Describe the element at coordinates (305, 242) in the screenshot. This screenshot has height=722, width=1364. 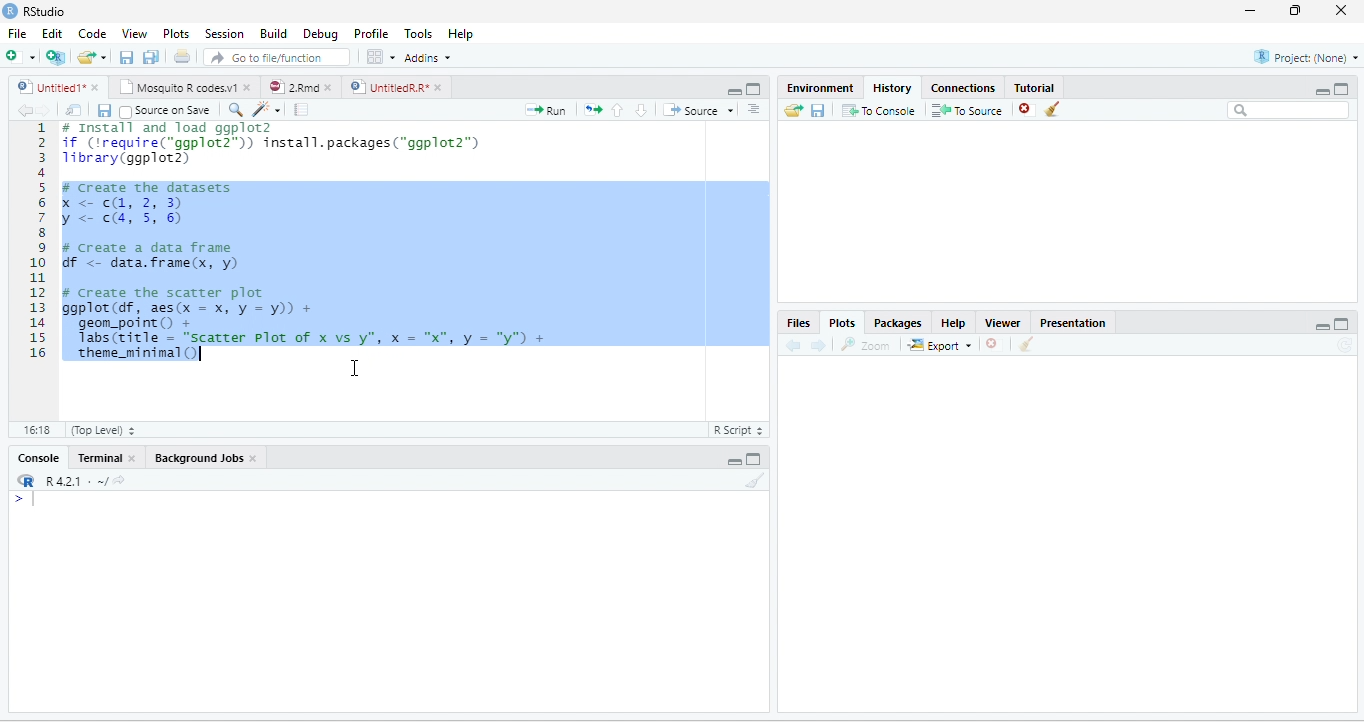
I see `# Install and load ggplot2
if (‘require("ggplot2™)) install.packages("ggplot2”)
1ibrary(ggplot2)
F create the datasets
X <<, 2, 3)
y < cs, 5, 6)
# create a data frame
Gf <- data.frame(x, y)
# Create the scatter plot
ggplot(df, aes(x = x, y = y)) +
geom_point() +
Tabs(title = "scatter Plot of x vs y", x = "x", y = "y") +
‘theme_minimal()` at that location.